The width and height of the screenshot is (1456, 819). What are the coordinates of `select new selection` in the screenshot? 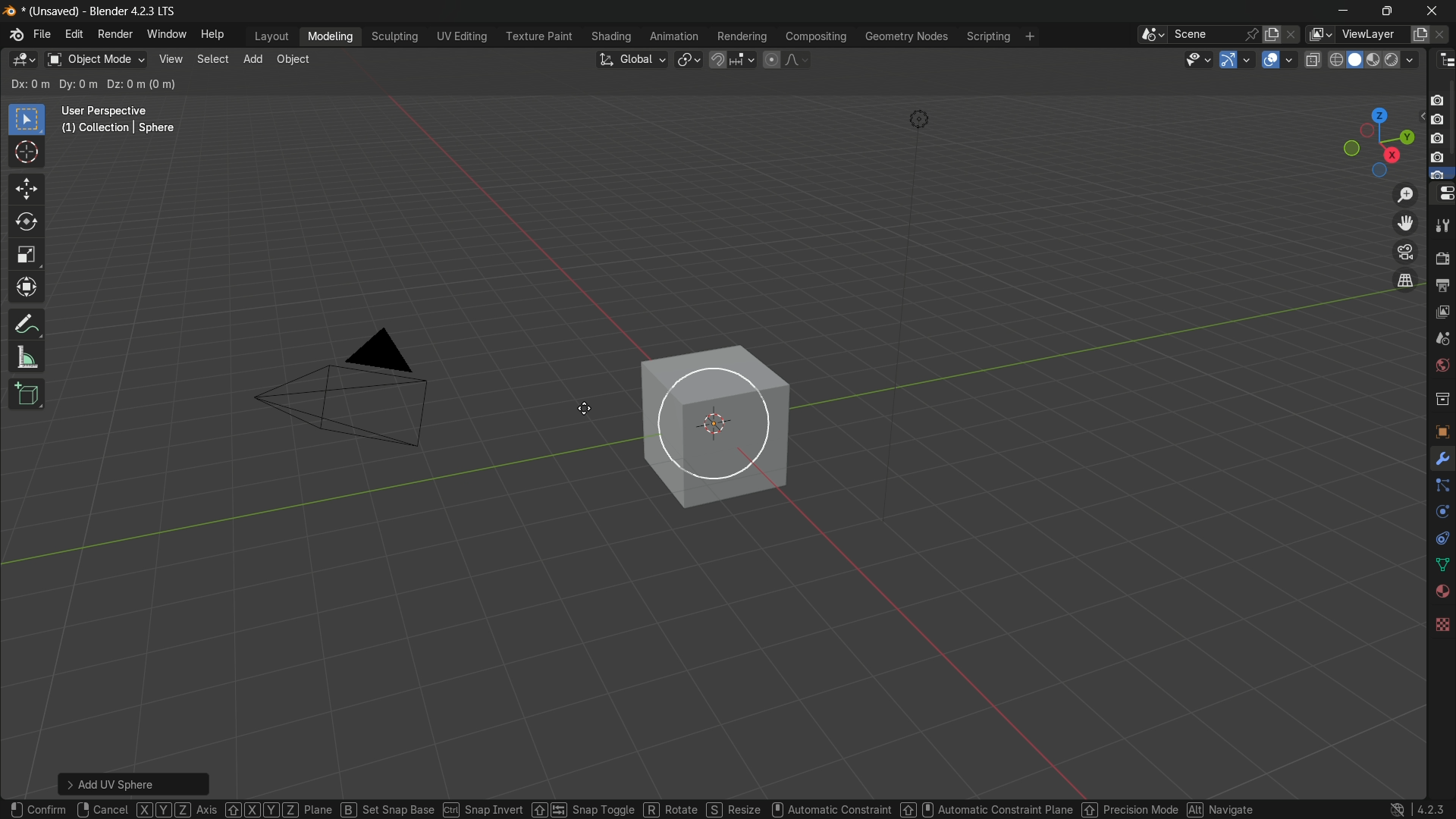 It's located at (16, 83).